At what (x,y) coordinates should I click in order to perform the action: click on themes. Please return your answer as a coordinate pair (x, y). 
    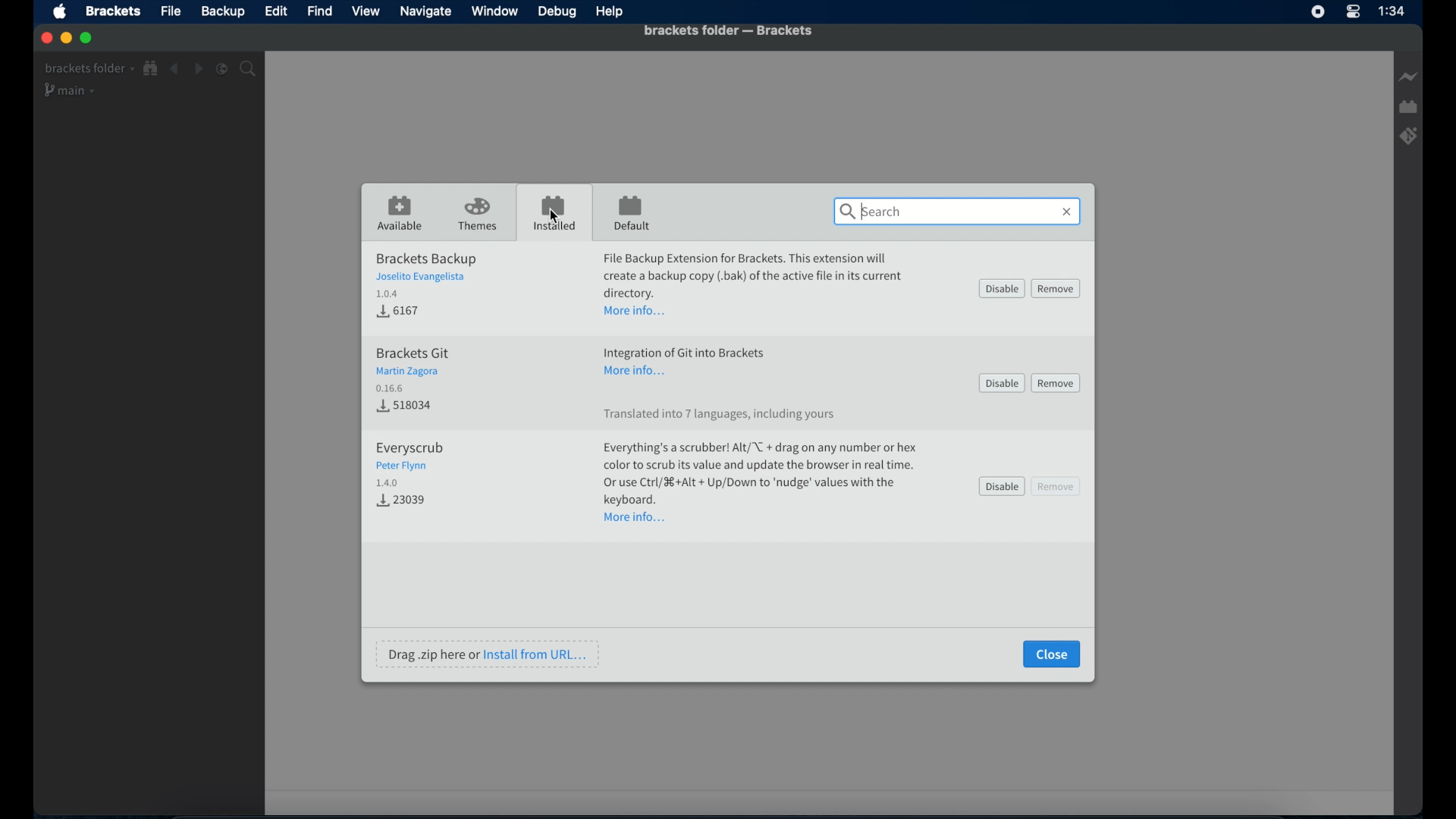
    Looking at the image, I should click on (477, 214).